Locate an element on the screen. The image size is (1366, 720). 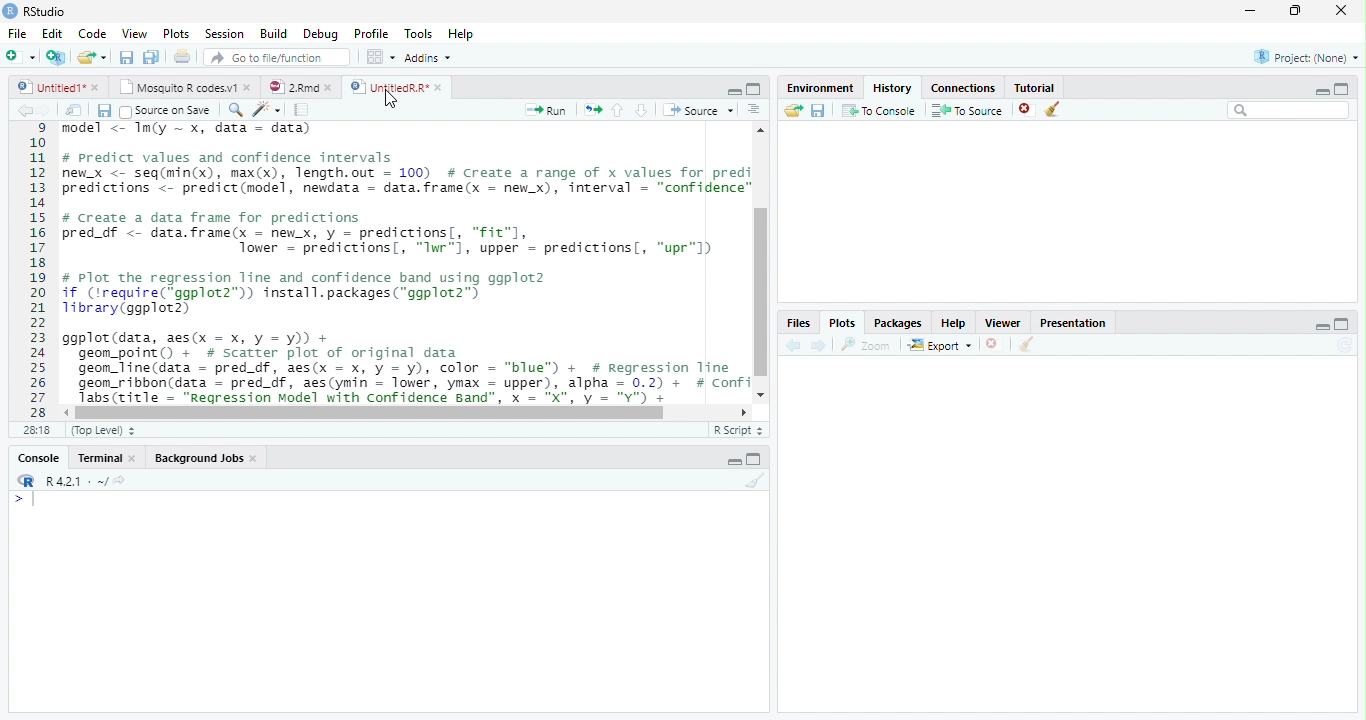
Plots is located at coordinates (844, 322).